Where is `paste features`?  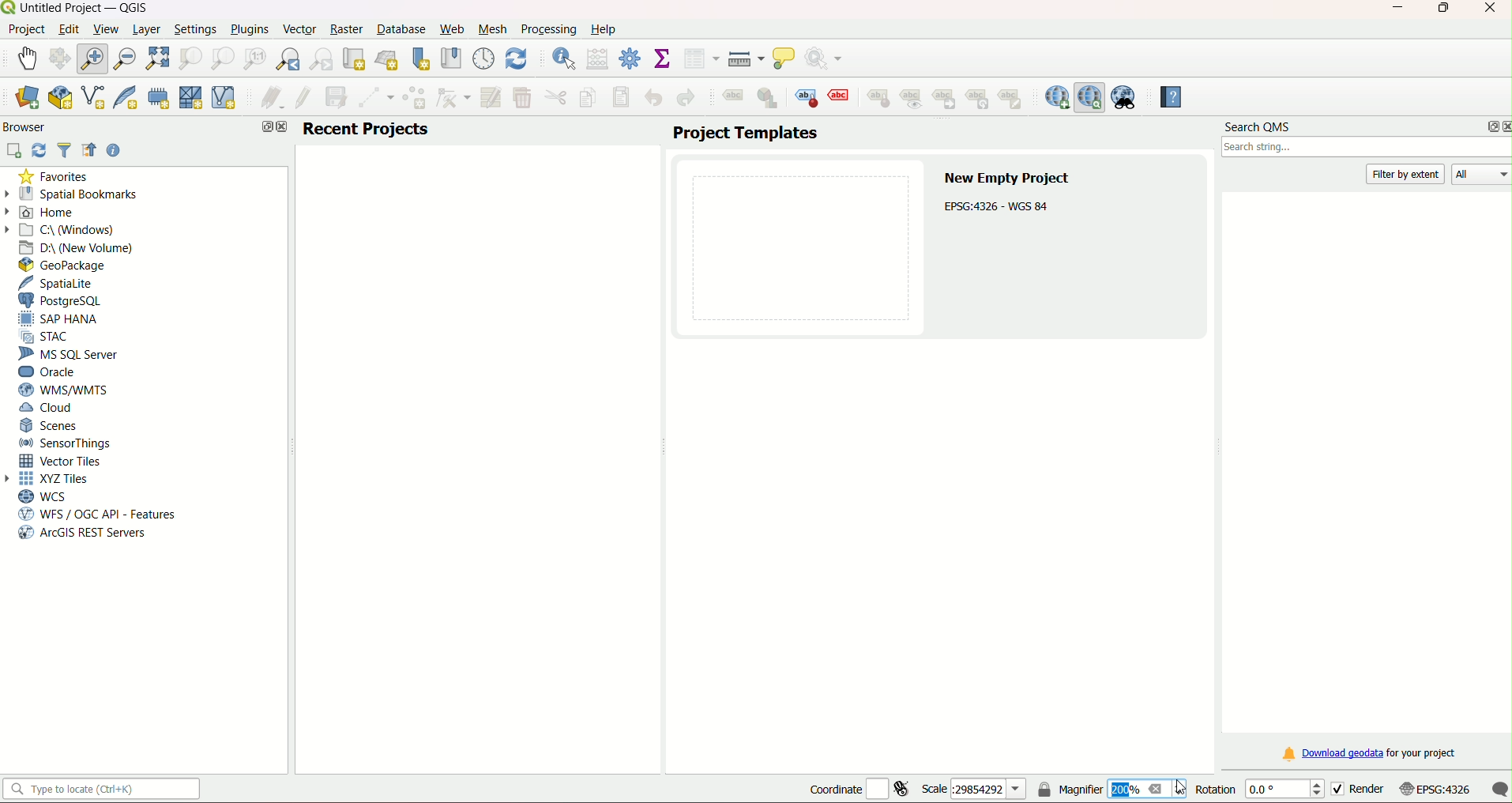 paste features is located at coordinates (620, 97).